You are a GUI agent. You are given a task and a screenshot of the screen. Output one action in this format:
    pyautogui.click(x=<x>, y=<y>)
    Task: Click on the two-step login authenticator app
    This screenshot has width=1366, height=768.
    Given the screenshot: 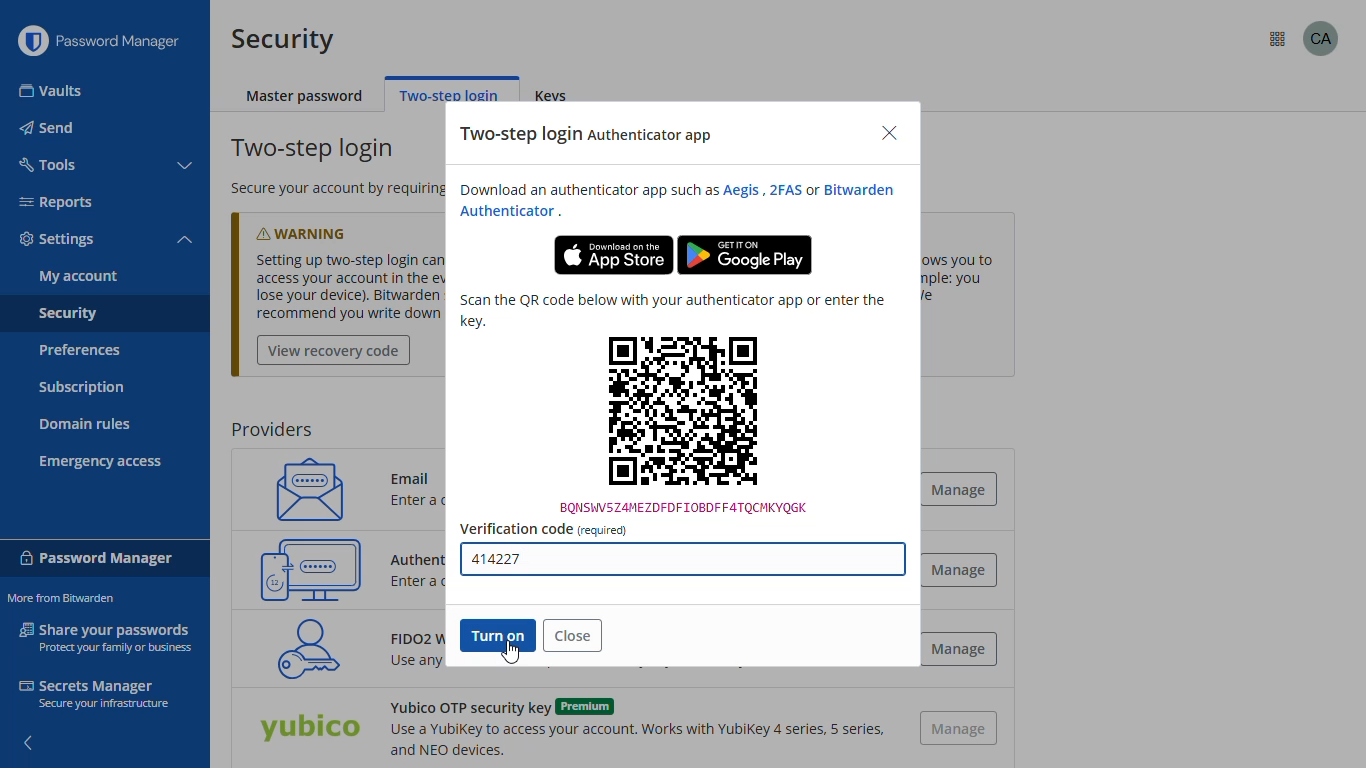 What is the action you would take?
    pyautogui.click(x=588, y=135)
    